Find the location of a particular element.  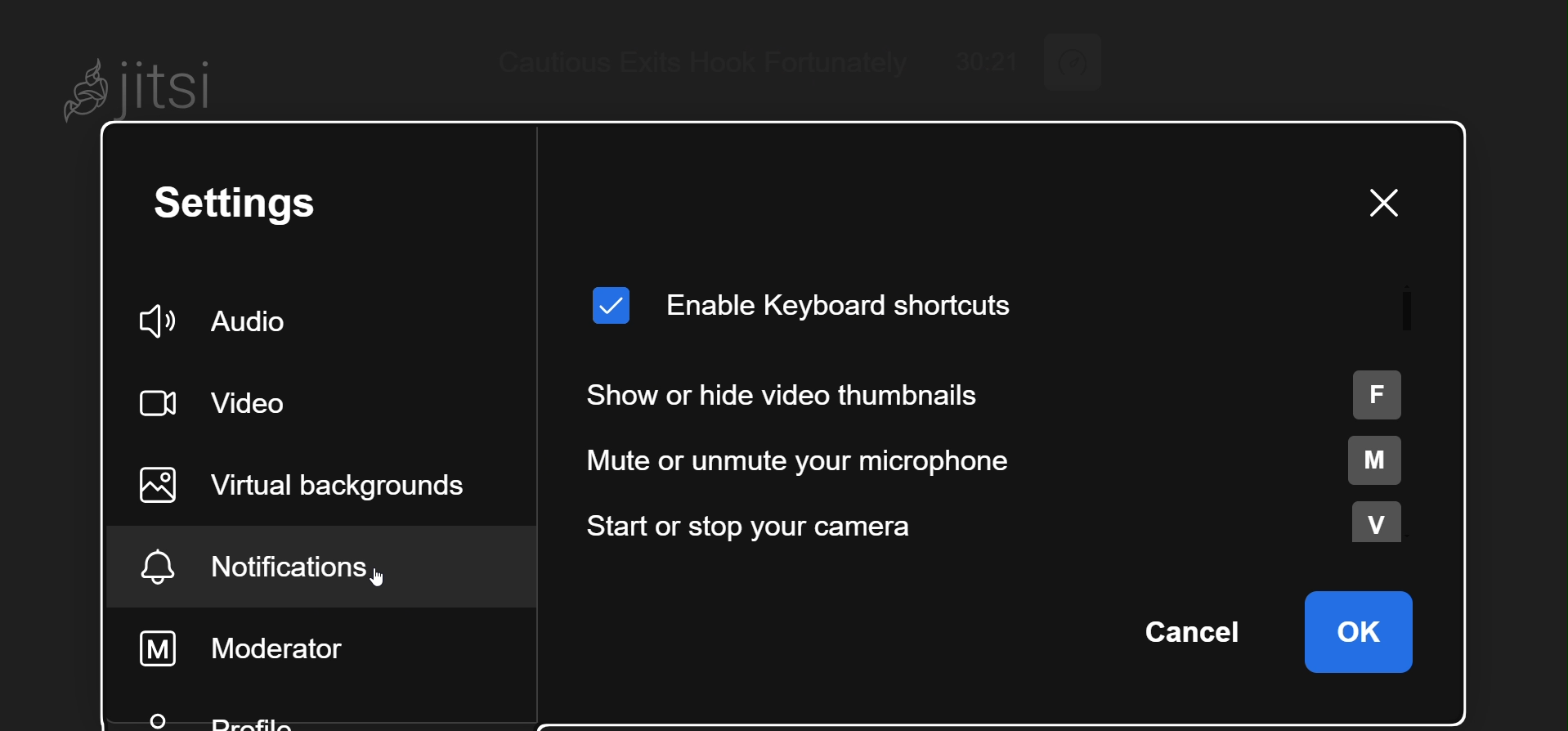

enable keyboard shortcut is located at coordinates (805, 307).